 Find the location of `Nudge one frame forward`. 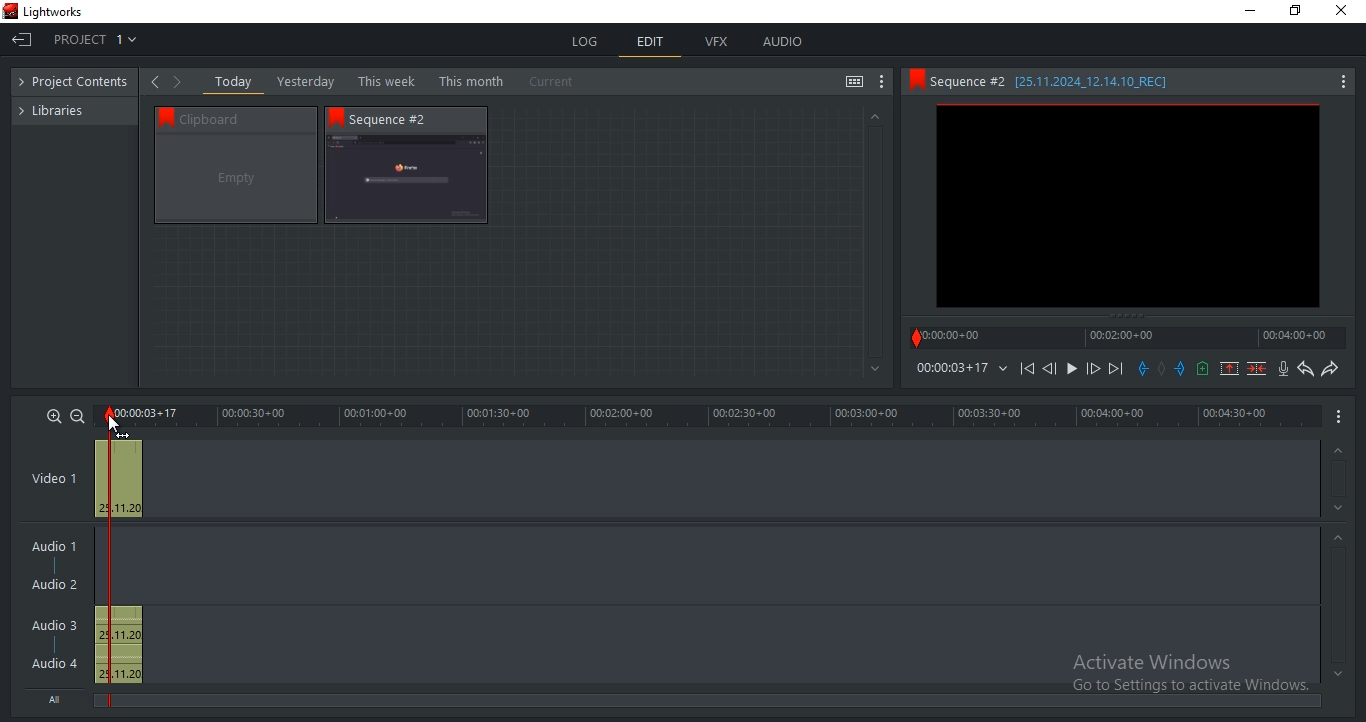

Nudge one frame forward is located at coordinates (1091, 369).